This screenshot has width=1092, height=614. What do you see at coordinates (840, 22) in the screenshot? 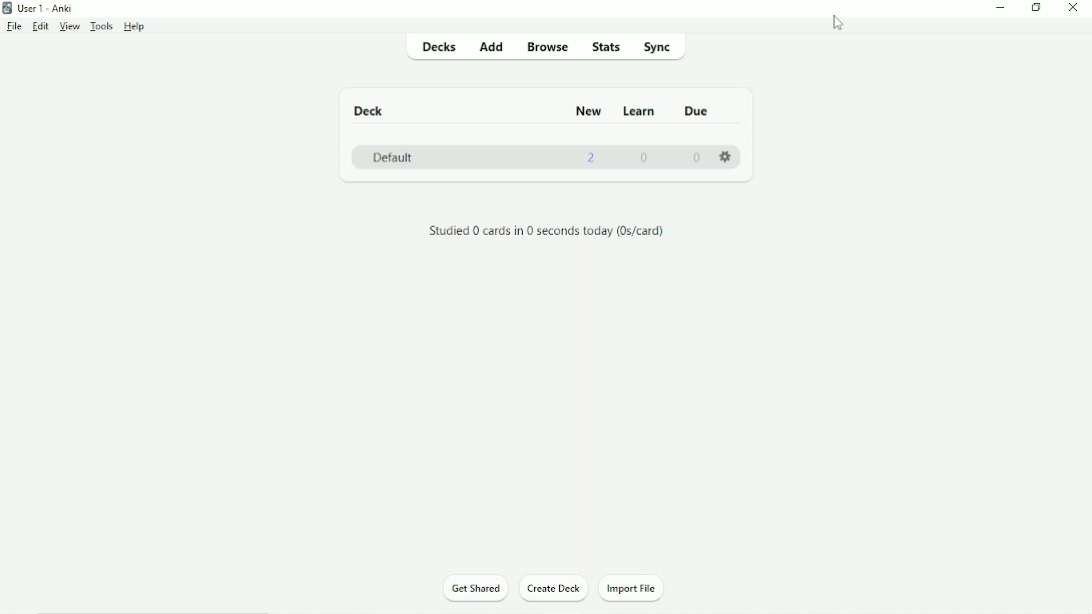
I see `Cursor` at bounding box center [840, 22].